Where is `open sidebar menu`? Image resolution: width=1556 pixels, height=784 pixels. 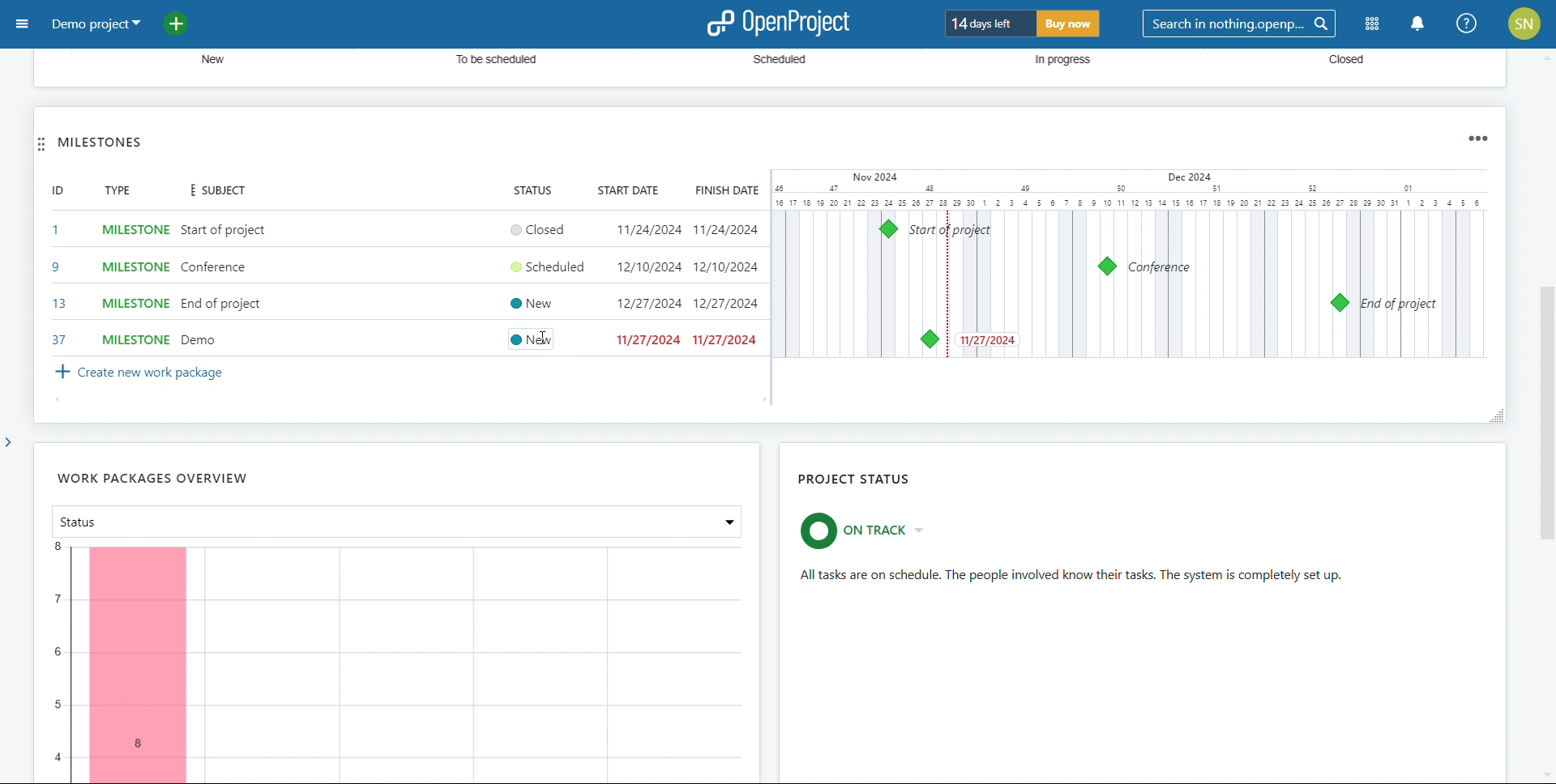
open sidebar menu is located at coordinates (24, 23).